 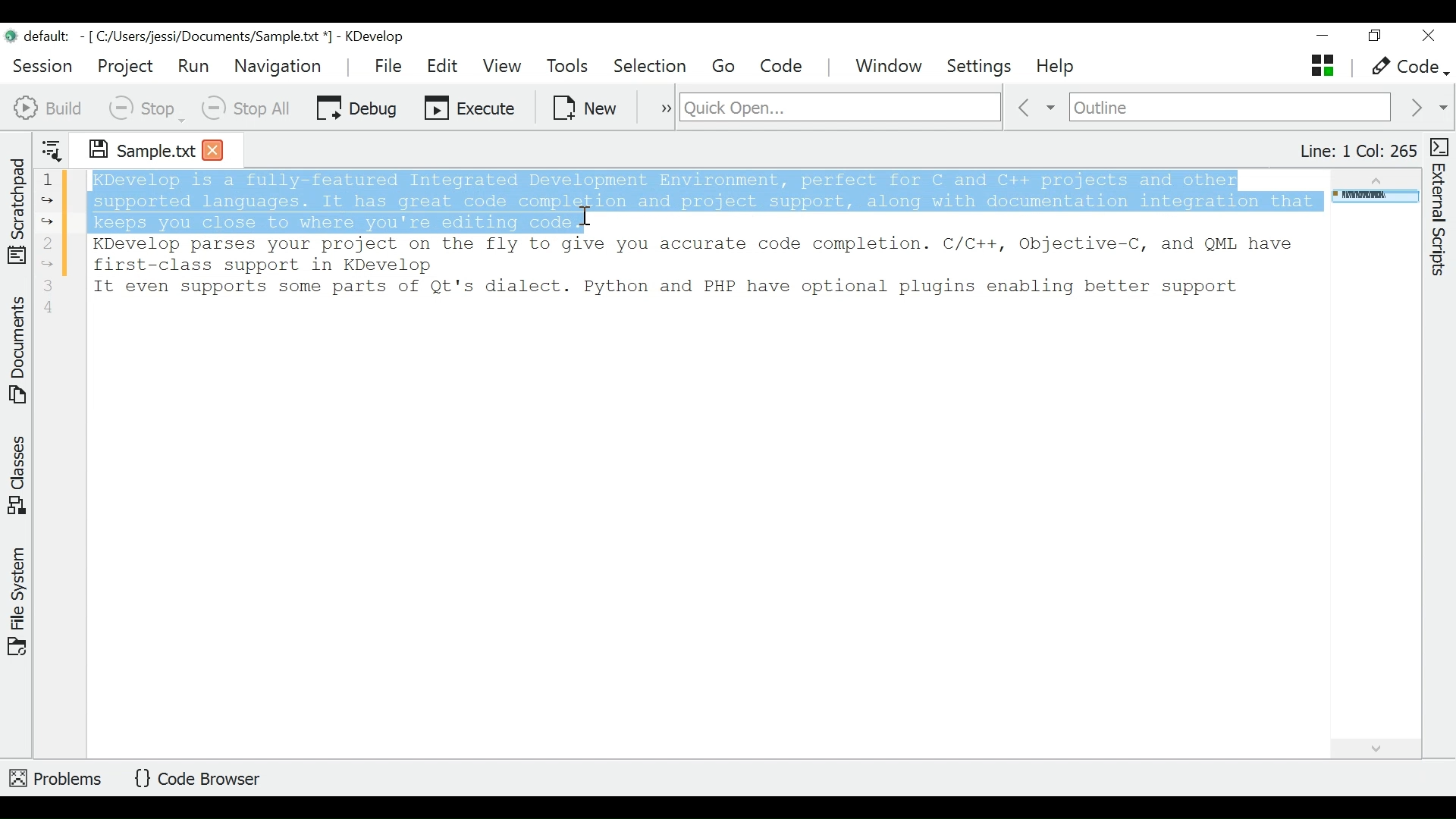 I want to click on 1 KDevelop is a fully-featured Integrated Development Environment, perfect for C and C++ projects and other supported languages. It has great code completion and project support, along with documentation integration that keeps you close to where you're editing code., so click(x=678, y=200).